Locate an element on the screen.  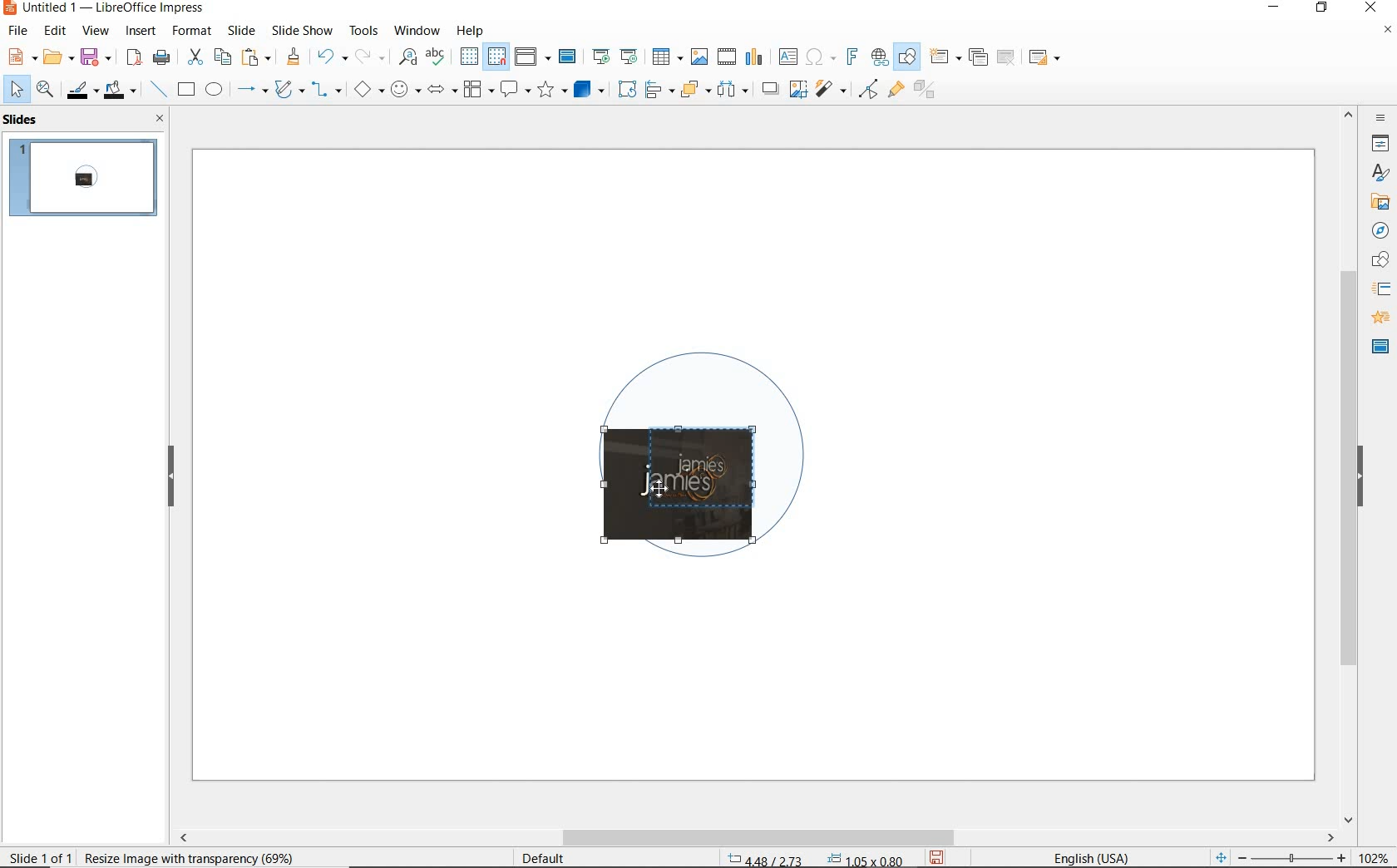
toggle extrusion is located at coordinates (929, 91).